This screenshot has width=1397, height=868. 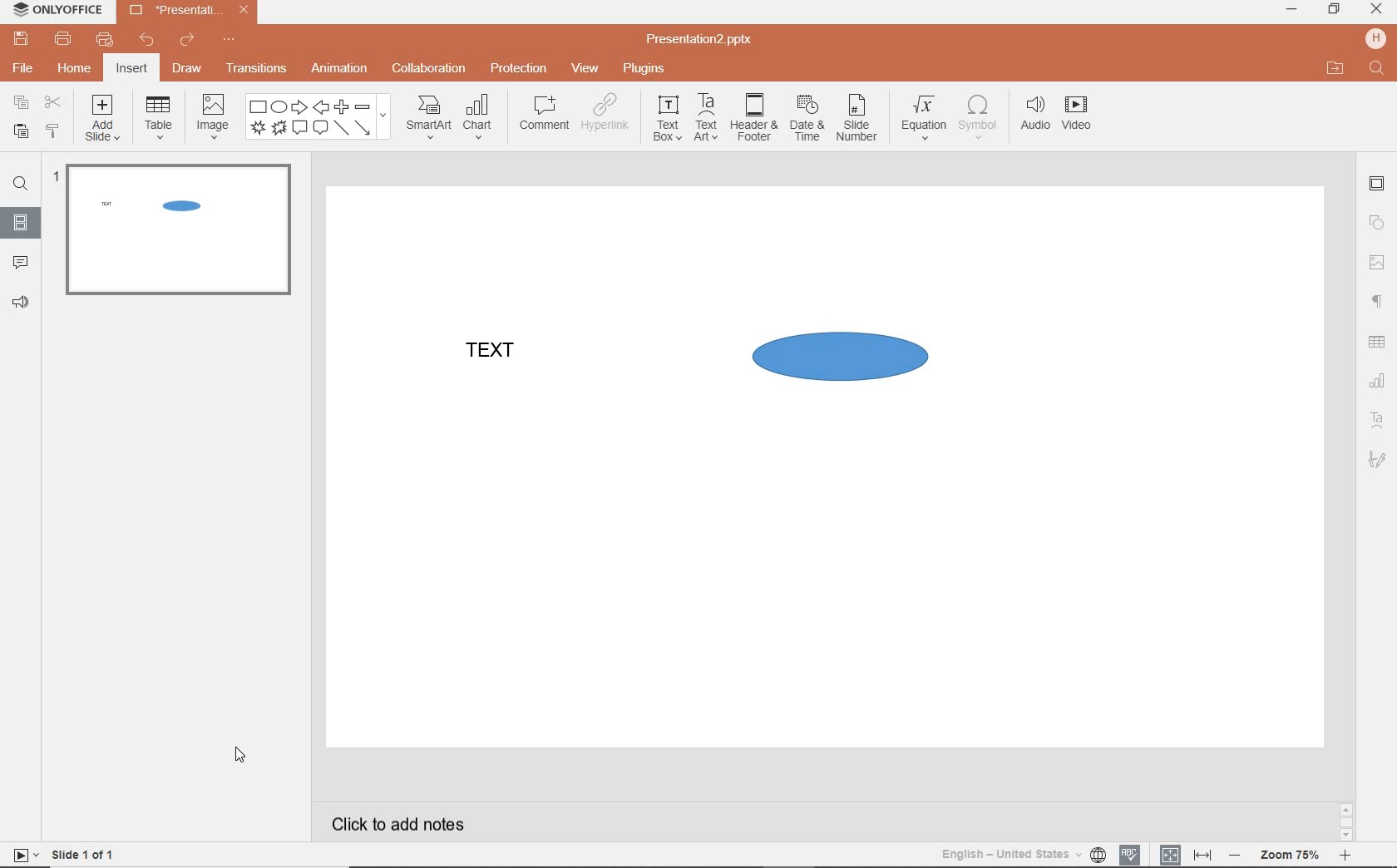 I want to click on print, so click(x=64, y=39).